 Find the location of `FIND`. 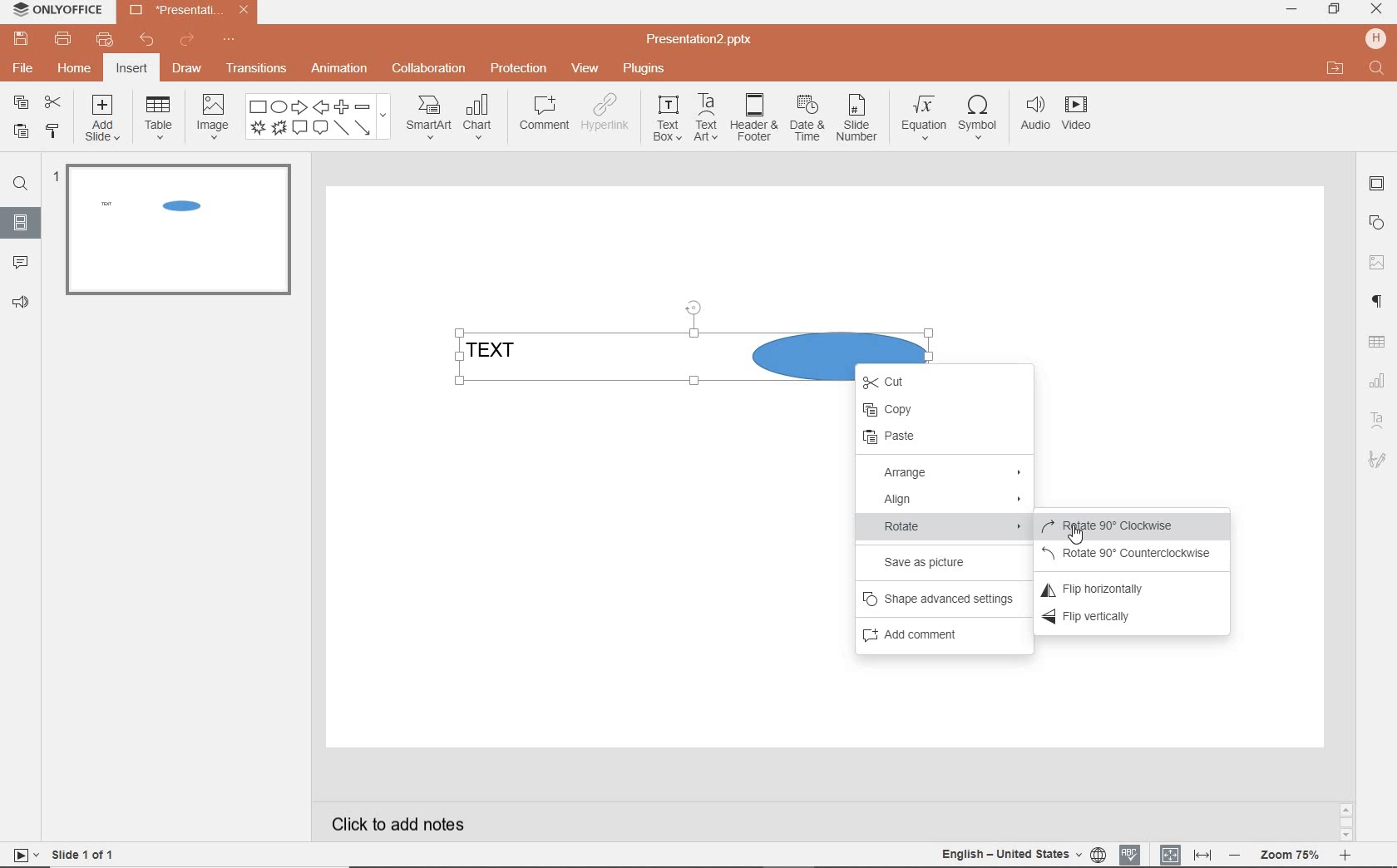

FIND is located at coordinates (18, 186).